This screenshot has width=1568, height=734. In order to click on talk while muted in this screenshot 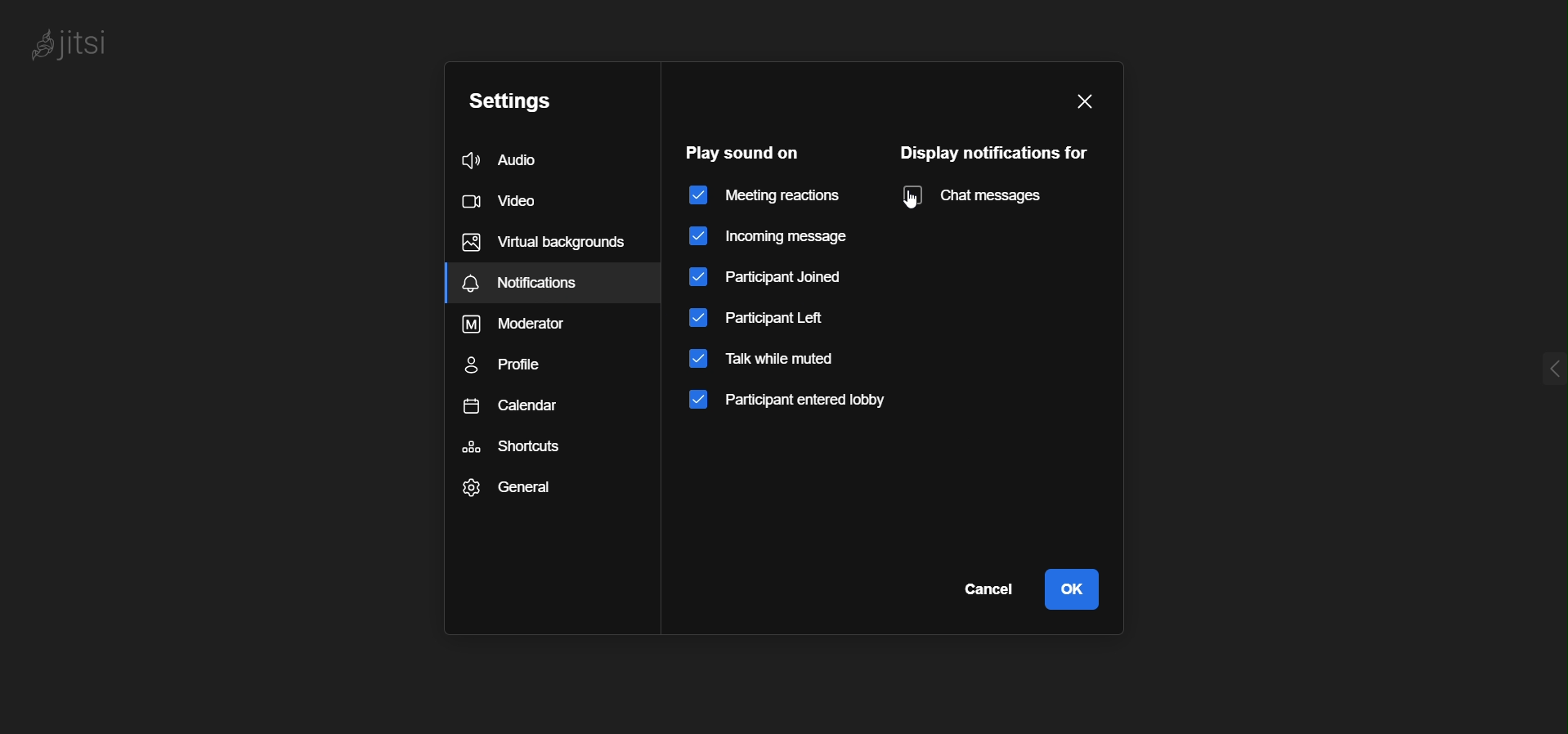, I will do `click(779, 366)`.